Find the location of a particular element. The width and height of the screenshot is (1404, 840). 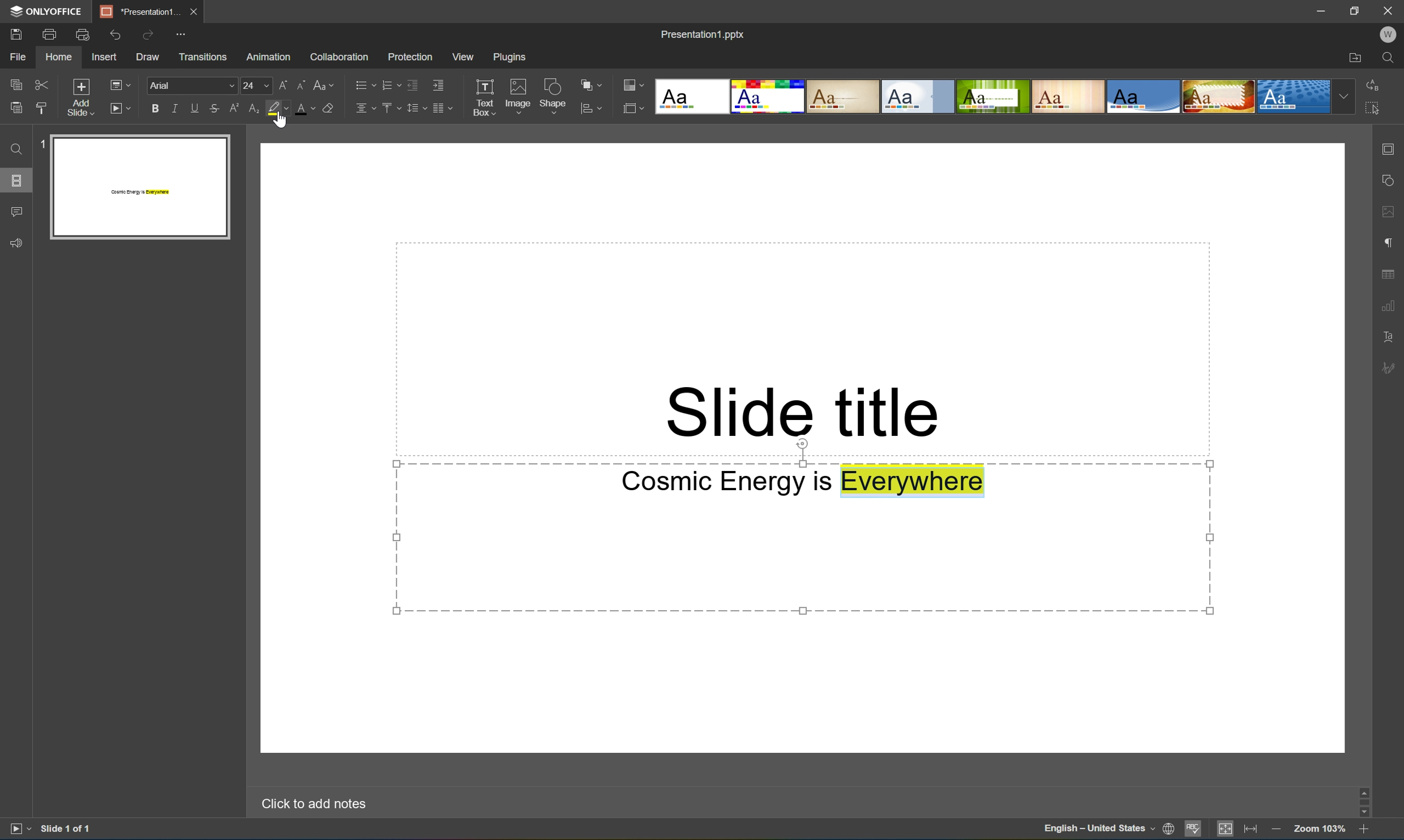

Slide title is located at coordinates (801, 410).